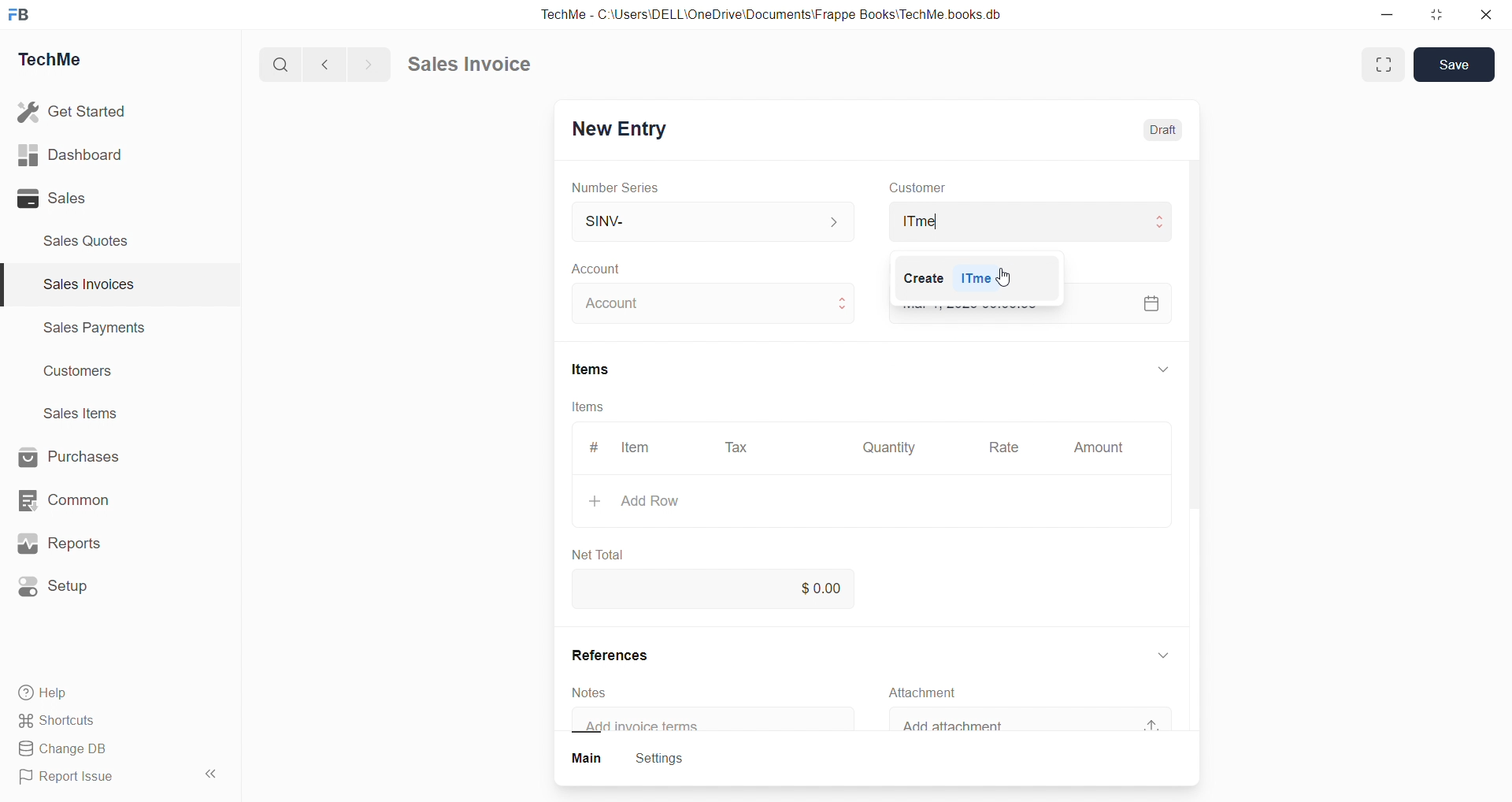  Describe the element at coordinates (669, 759) in the screenshot. I see `Settings` at that location.